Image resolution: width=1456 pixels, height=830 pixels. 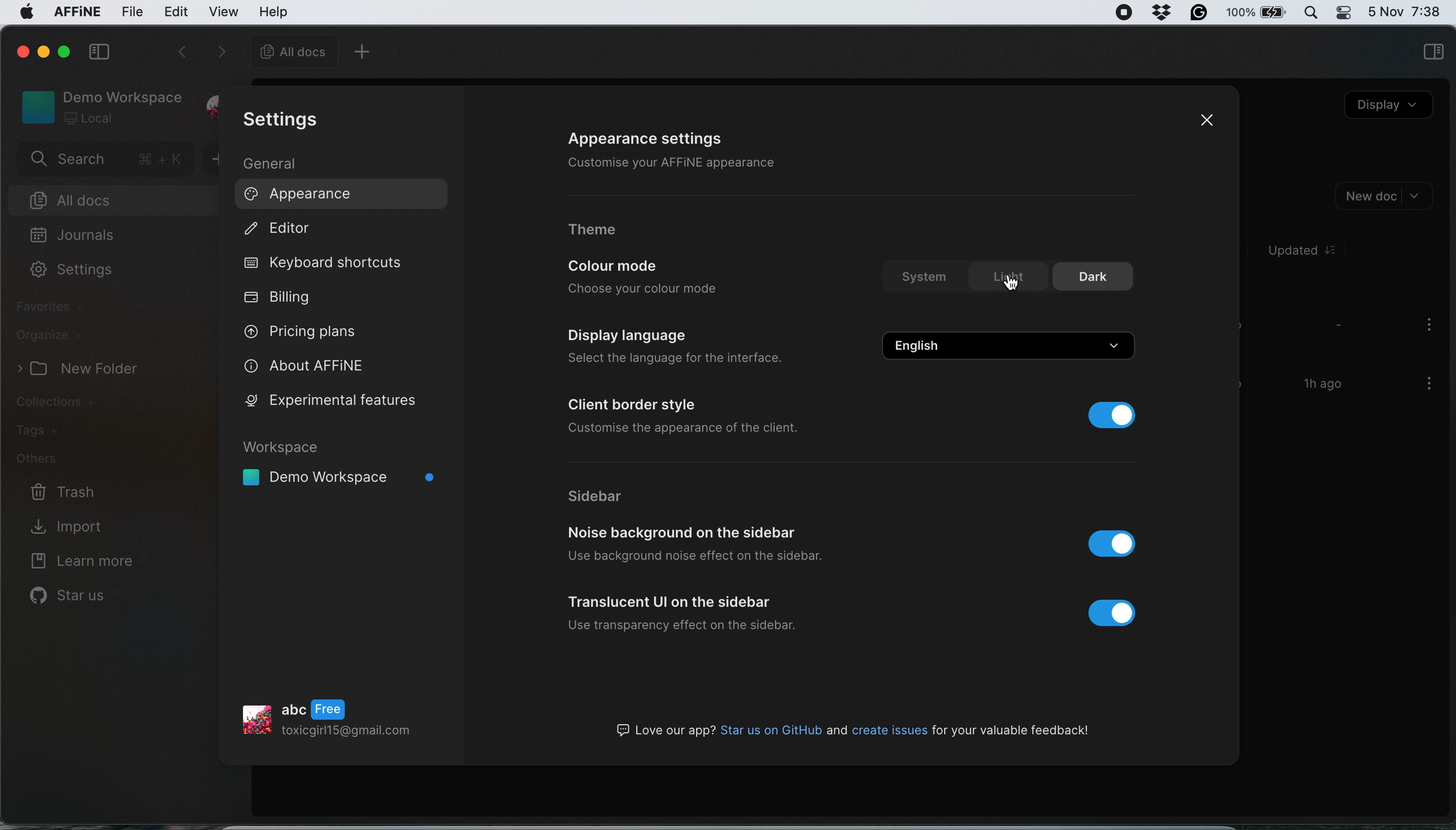 I want to click on spotlight search, so click(x=1312, y=12).